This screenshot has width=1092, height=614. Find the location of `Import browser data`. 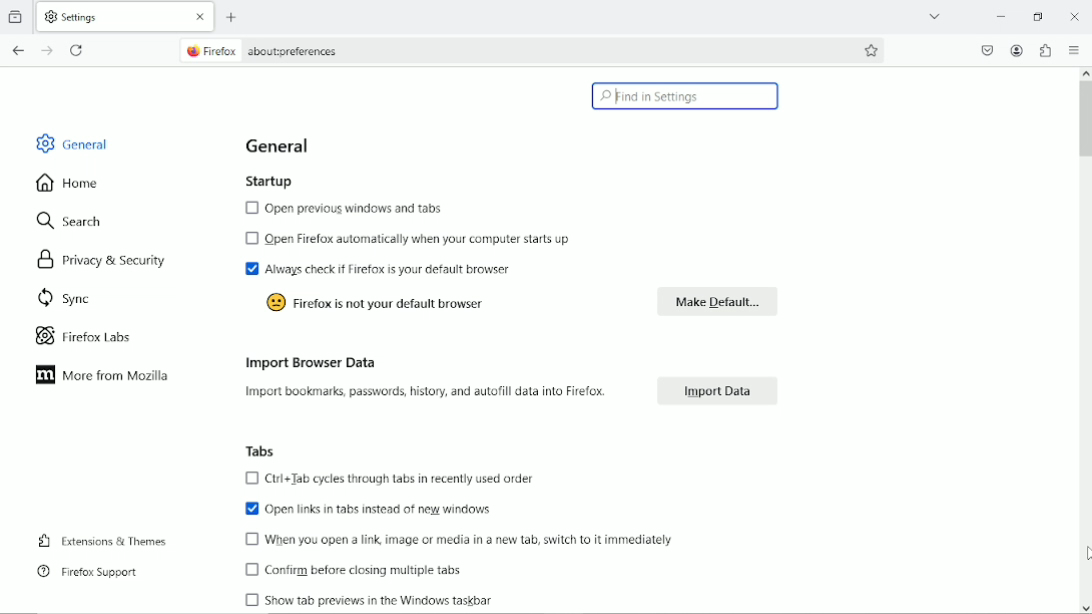

Import browser data is located at coordinates (307, 361).